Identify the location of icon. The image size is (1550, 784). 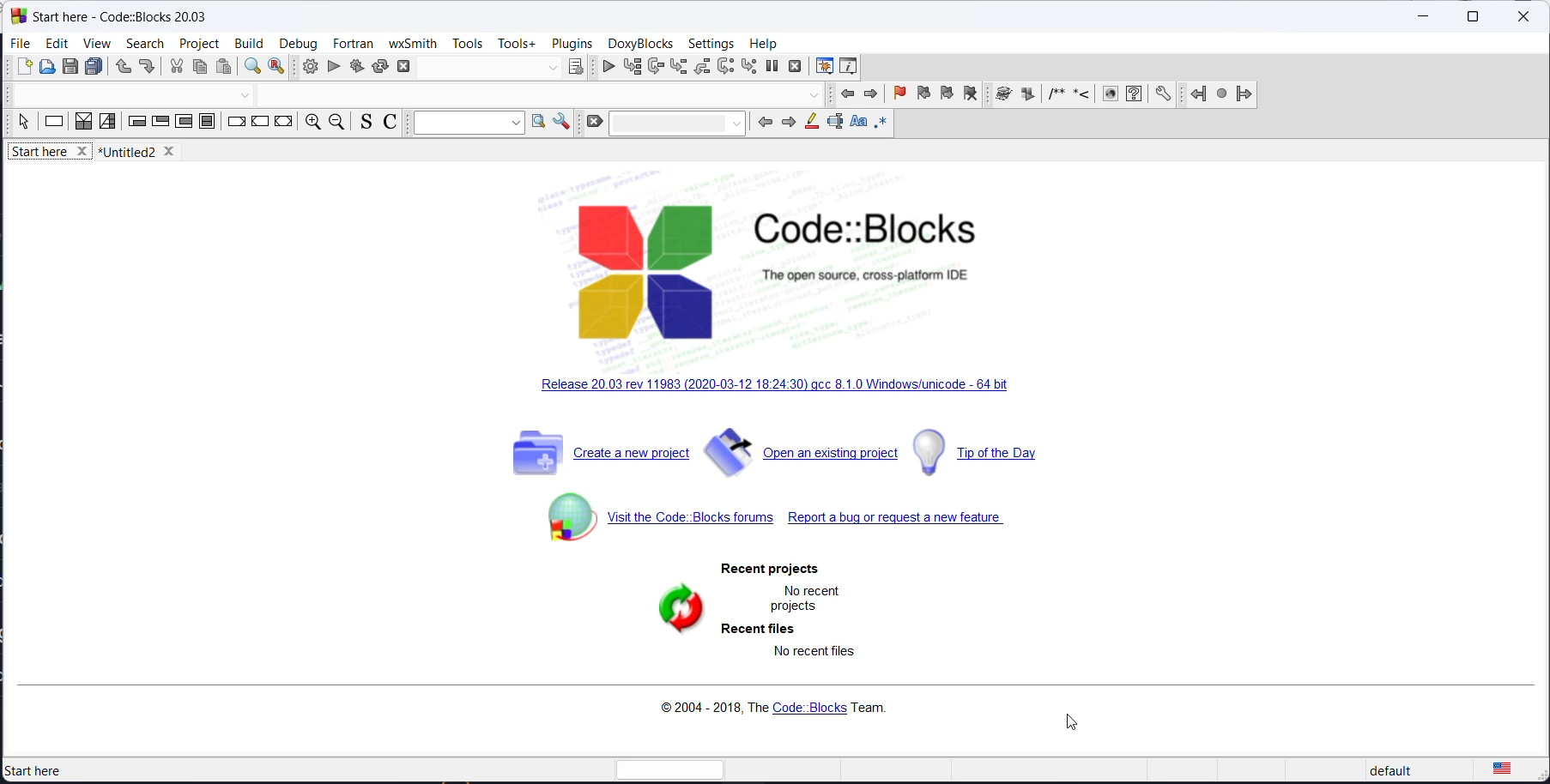
(1054, 96).